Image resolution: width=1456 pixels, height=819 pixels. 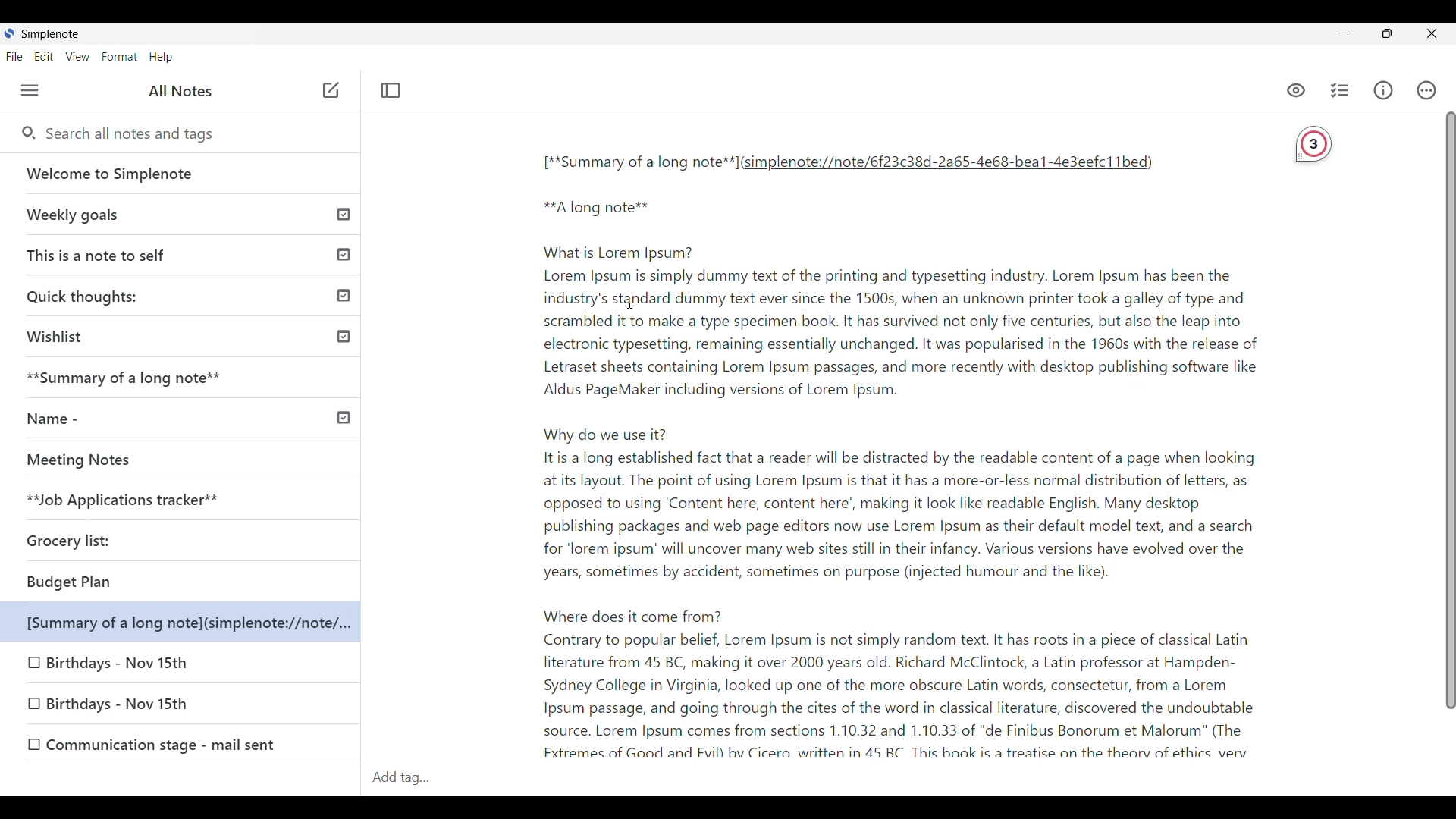 What do you see at coordinates (162, 58) in the screenshot?
I see `Help` at bounding box center [162, 58].